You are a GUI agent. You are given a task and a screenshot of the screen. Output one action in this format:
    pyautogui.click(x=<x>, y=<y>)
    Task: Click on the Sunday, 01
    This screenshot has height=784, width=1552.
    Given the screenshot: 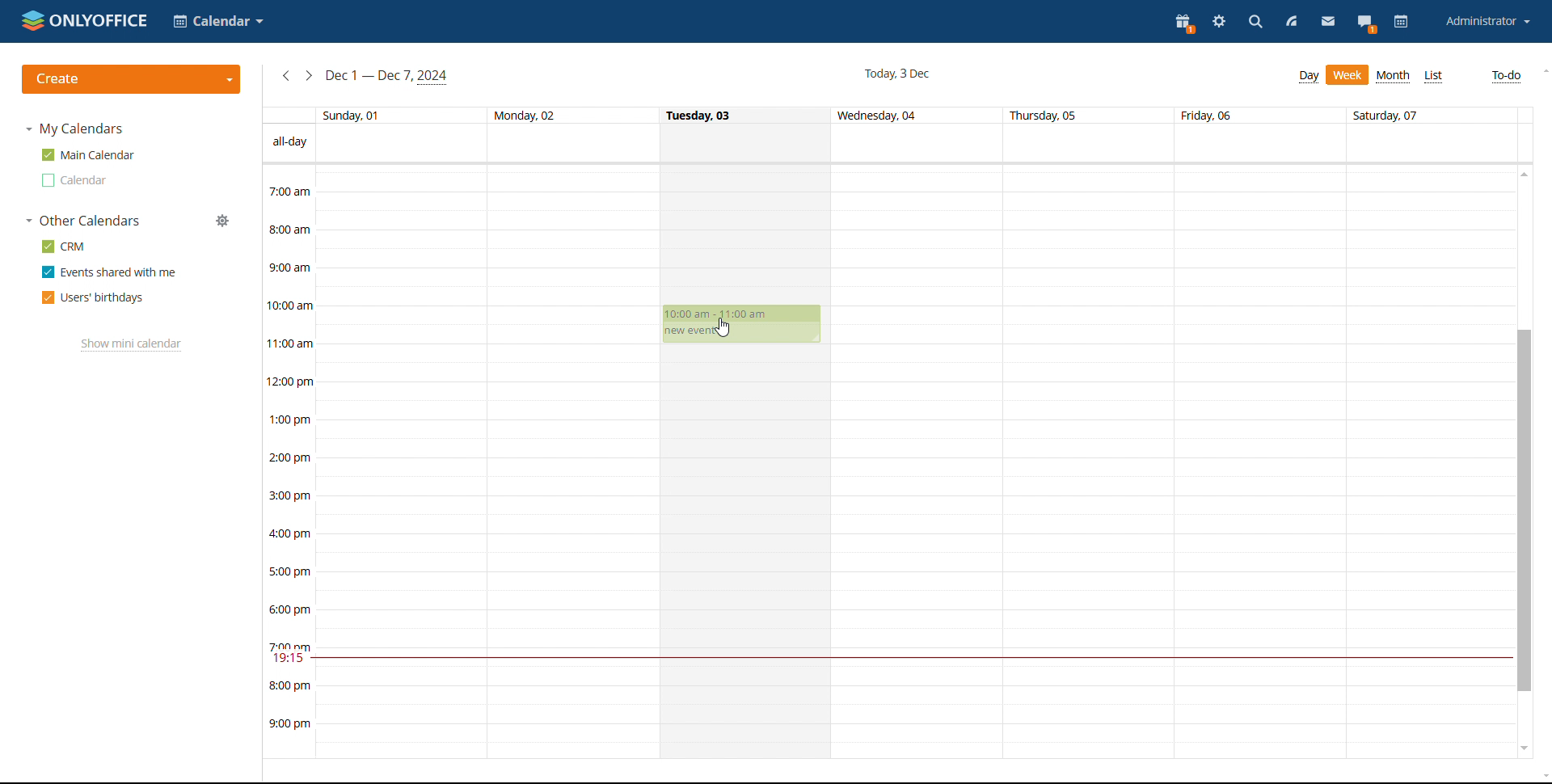 What is the action you would take?
    pyautogui.click(x=353, y=114)
    